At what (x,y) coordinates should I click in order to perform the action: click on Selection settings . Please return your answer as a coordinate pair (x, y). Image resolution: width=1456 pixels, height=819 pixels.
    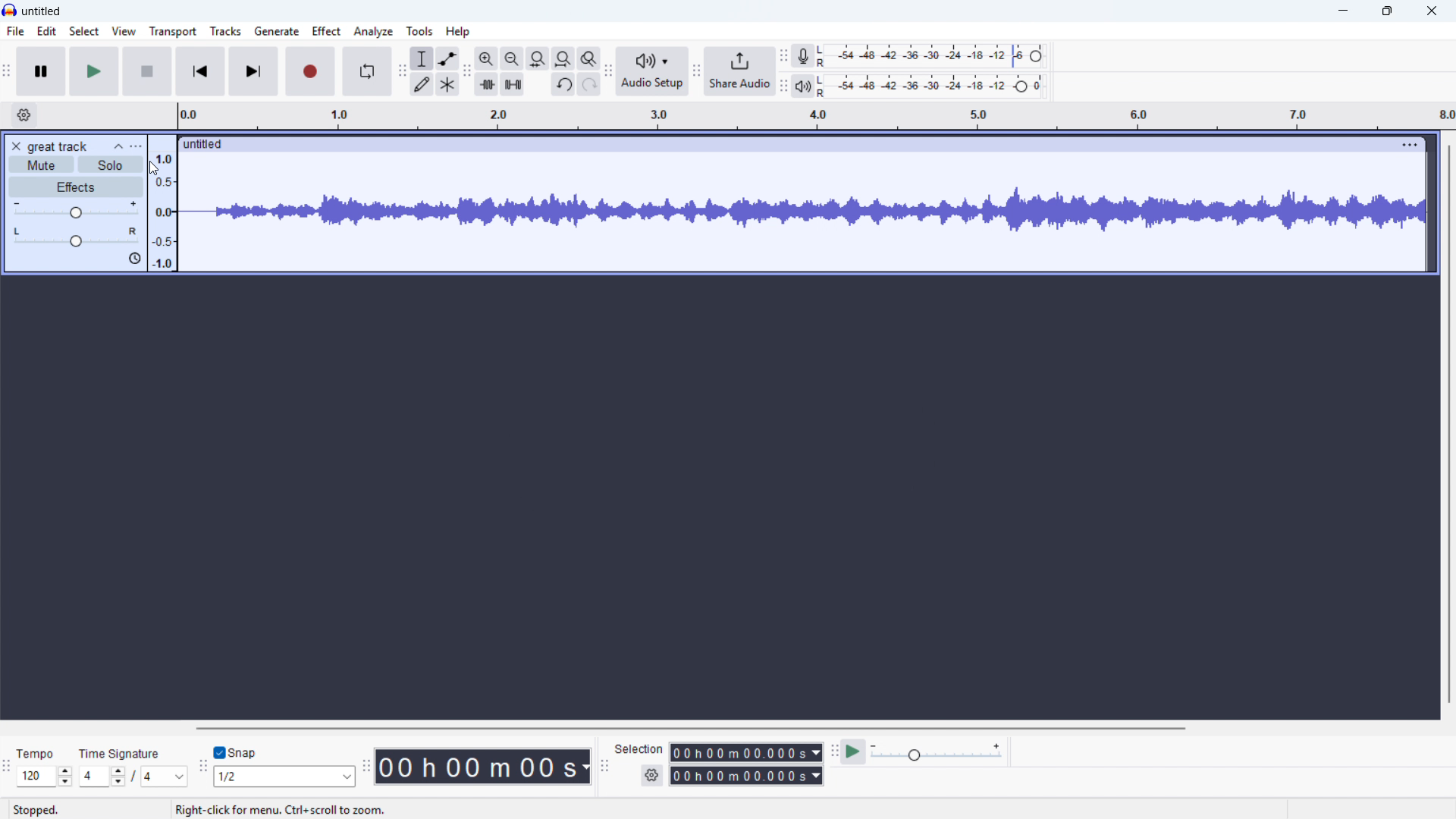
    Looking at the image, I should click on (652, 775).